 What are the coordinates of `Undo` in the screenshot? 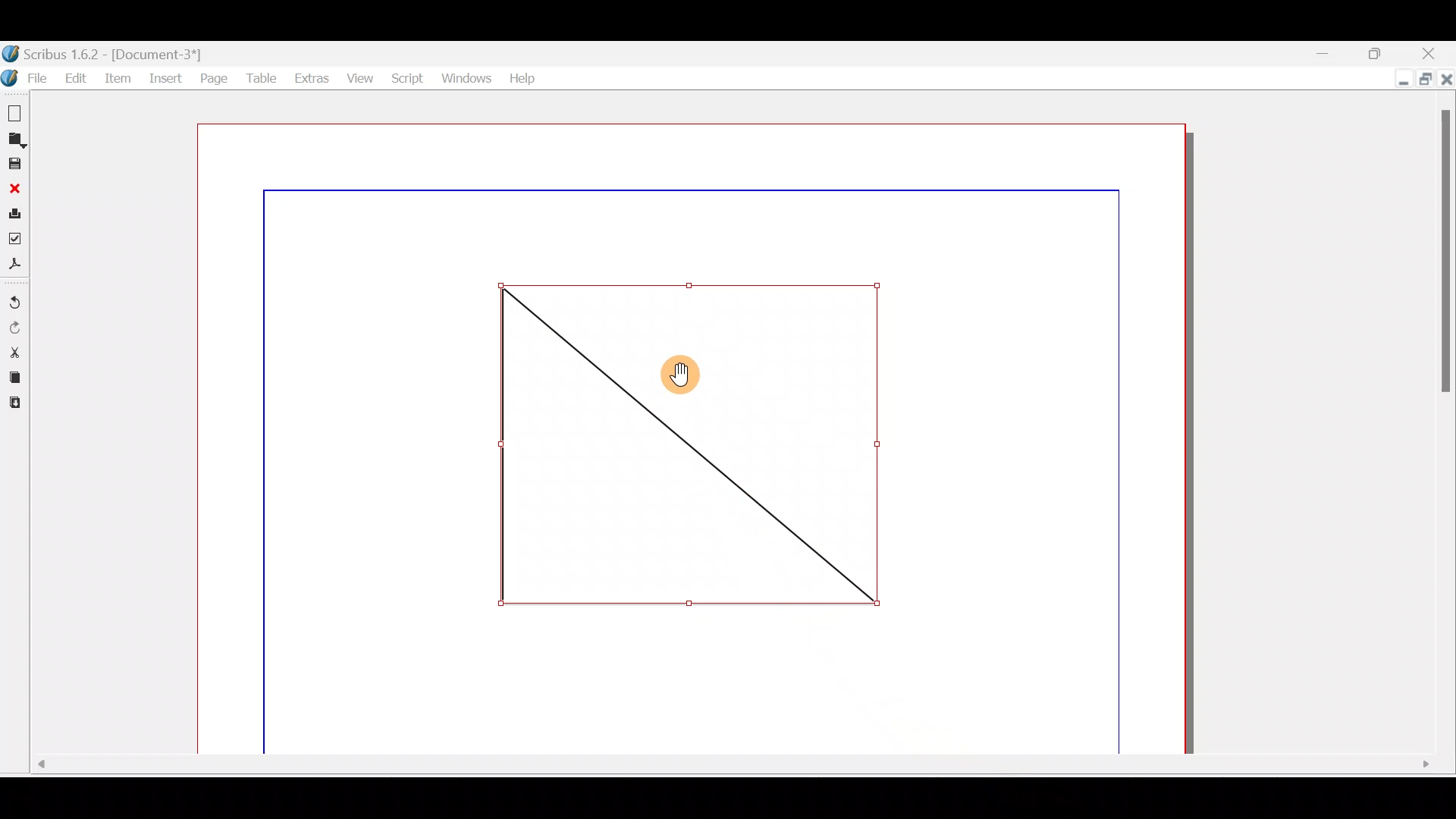 It's located at (17, 297).